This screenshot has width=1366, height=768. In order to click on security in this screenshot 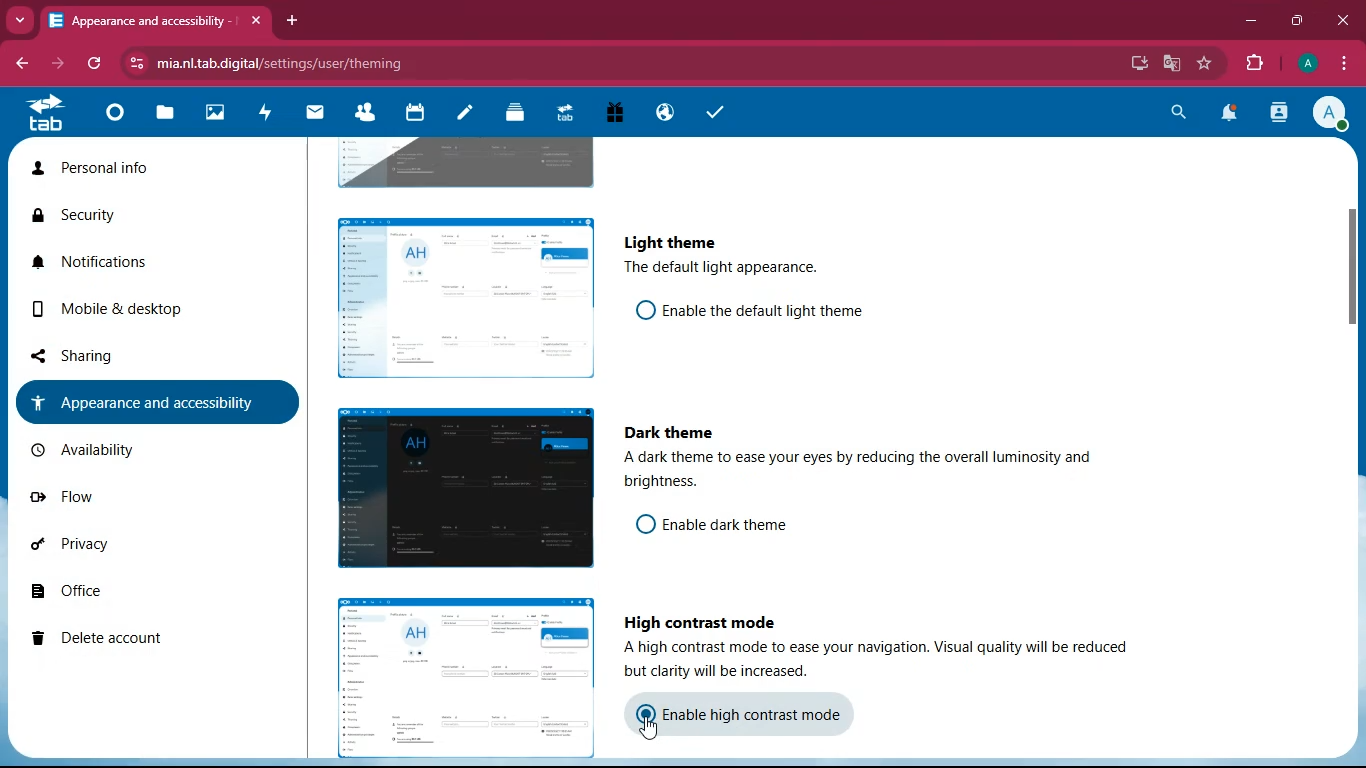, I will do `click(100, 217)`.